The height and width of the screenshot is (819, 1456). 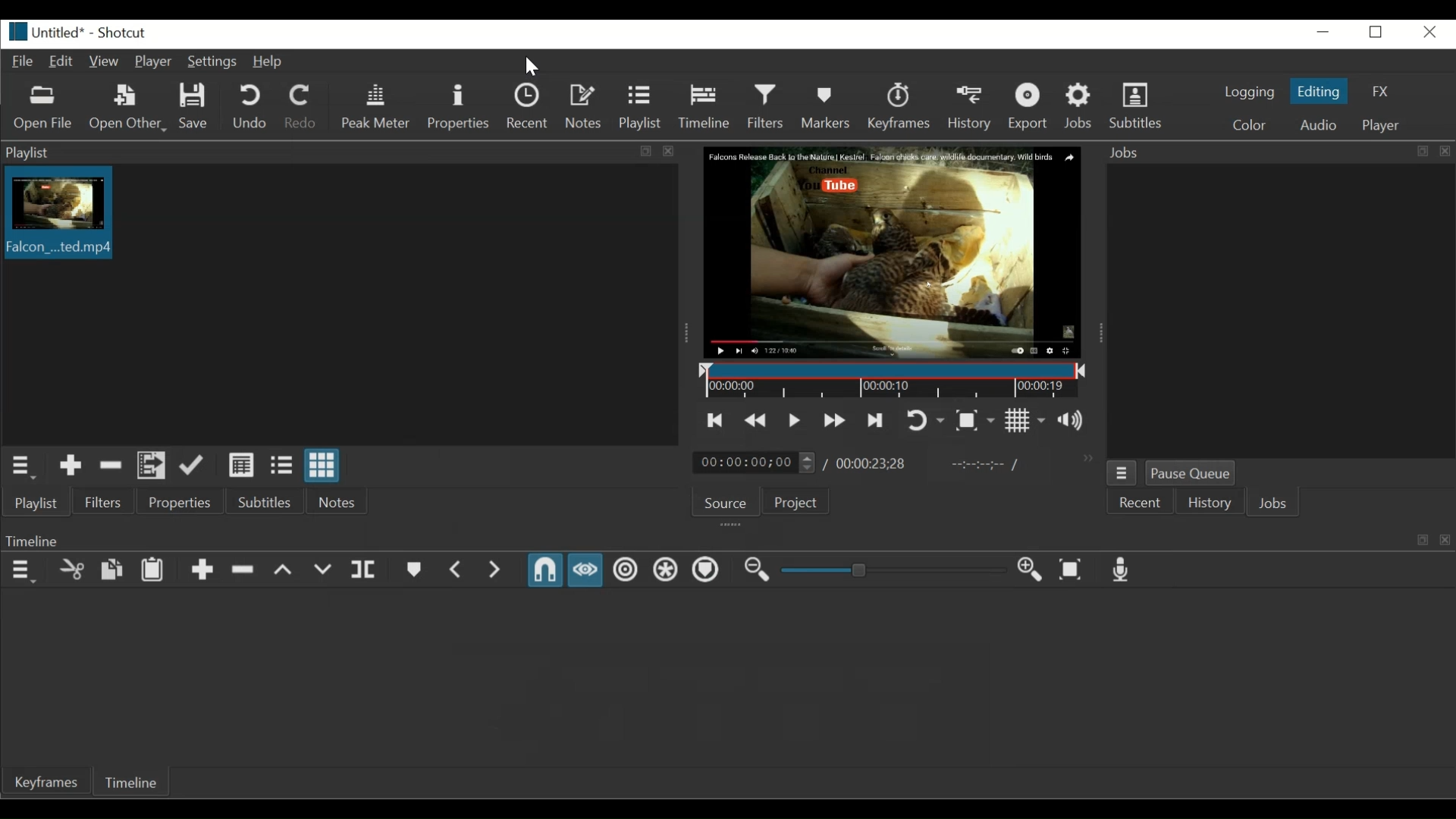 What do you see at coordinates (303, 108) in the screenshot?
I see `Redo` at bounding box center [303, 108].